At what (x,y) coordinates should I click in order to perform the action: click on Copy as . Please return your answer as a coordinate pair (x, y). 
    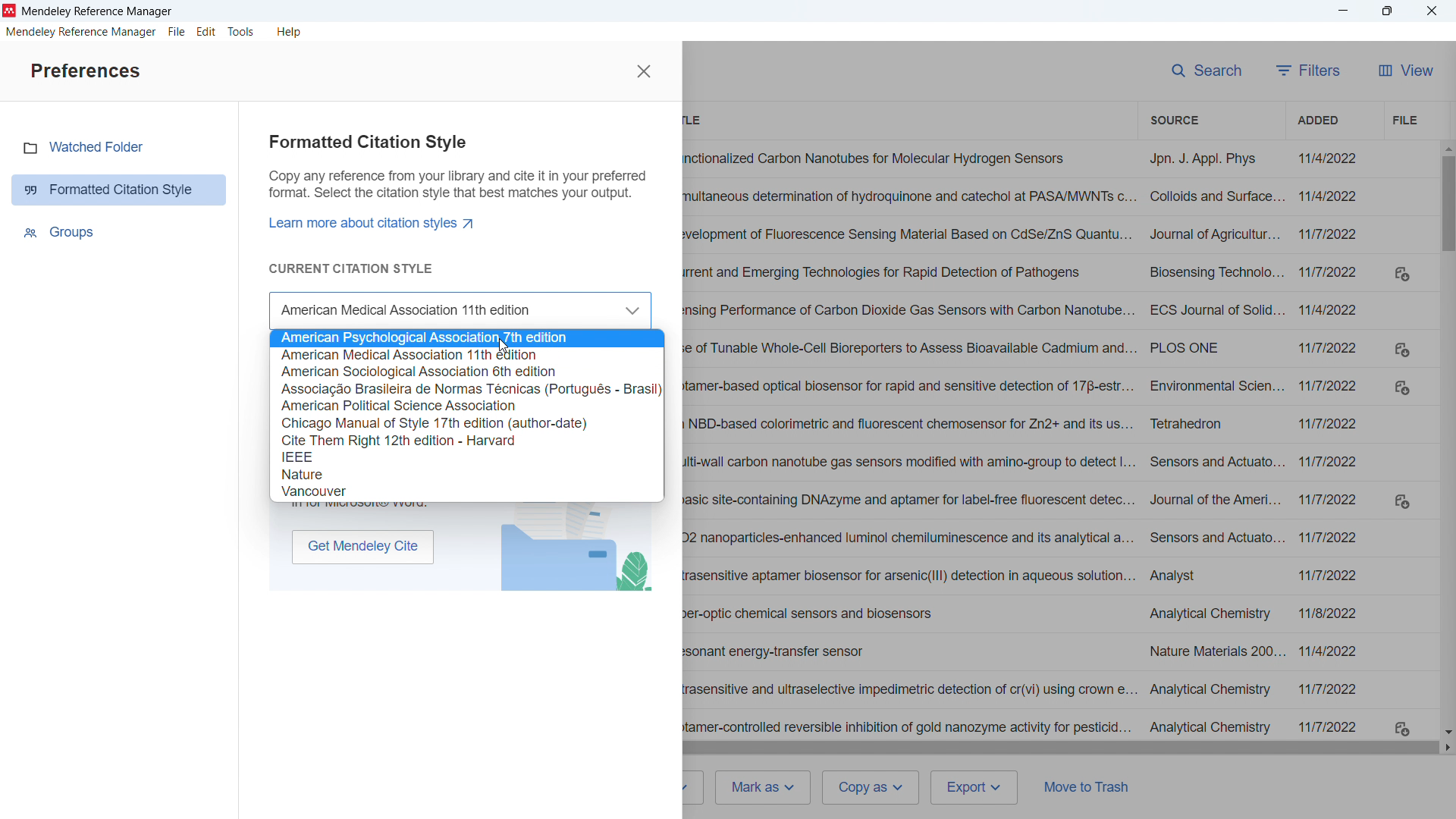
    Looking at the image, I should click on (871, 788).